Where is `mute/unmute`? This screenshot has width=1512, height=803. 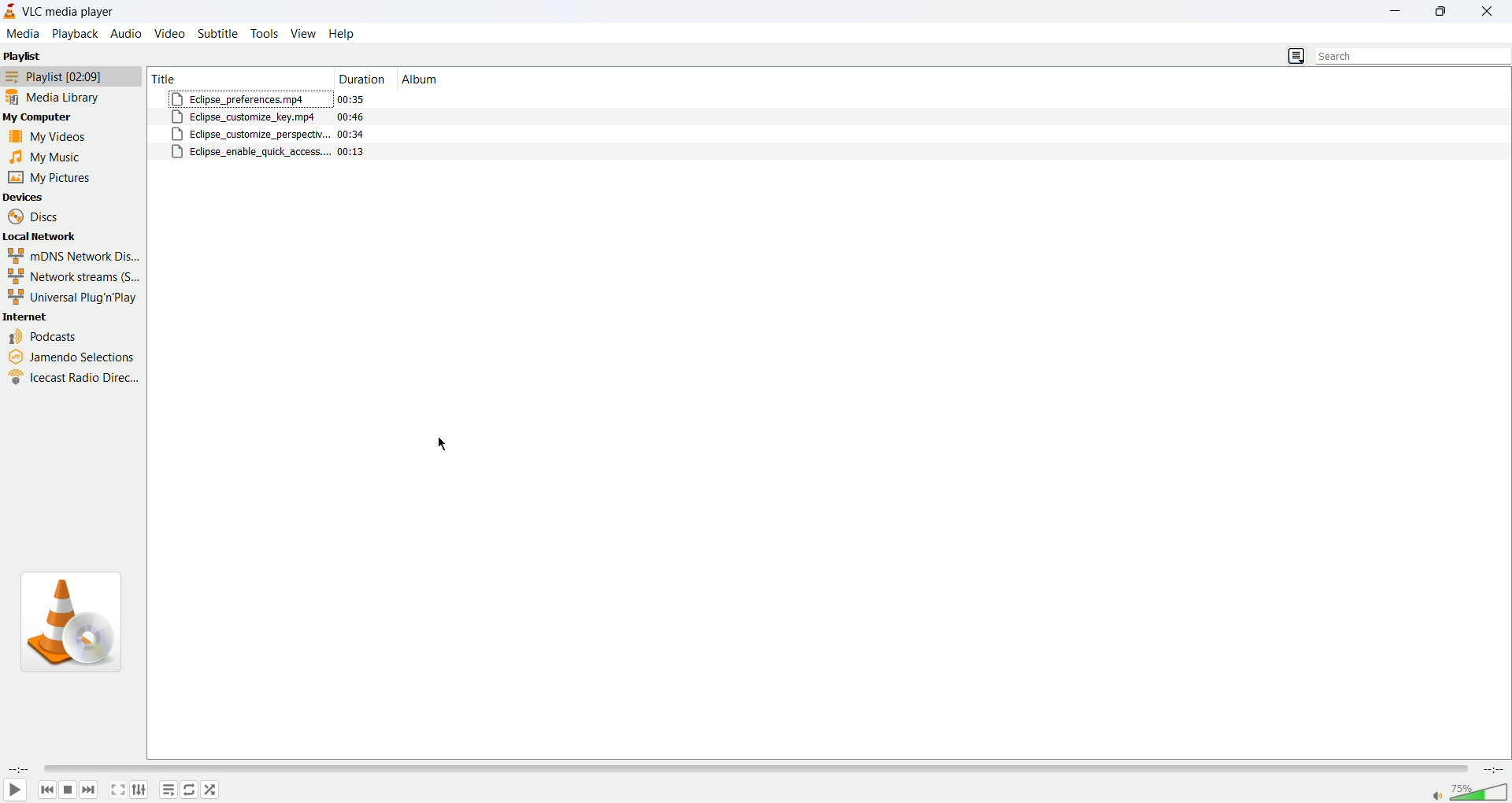 mute/unmute is located at coordinates (1433, 796).